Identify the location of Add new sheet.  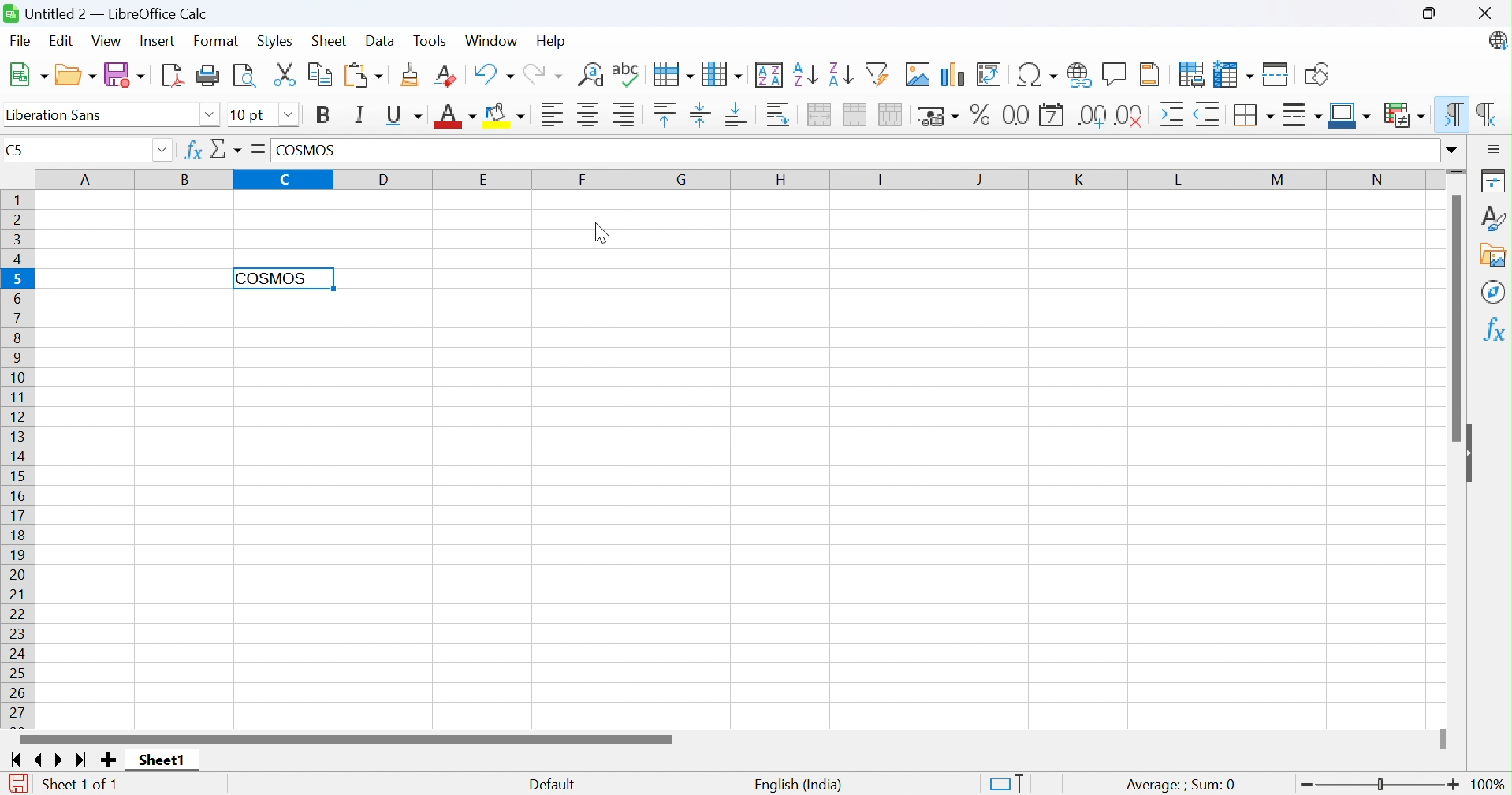
(109, 760).